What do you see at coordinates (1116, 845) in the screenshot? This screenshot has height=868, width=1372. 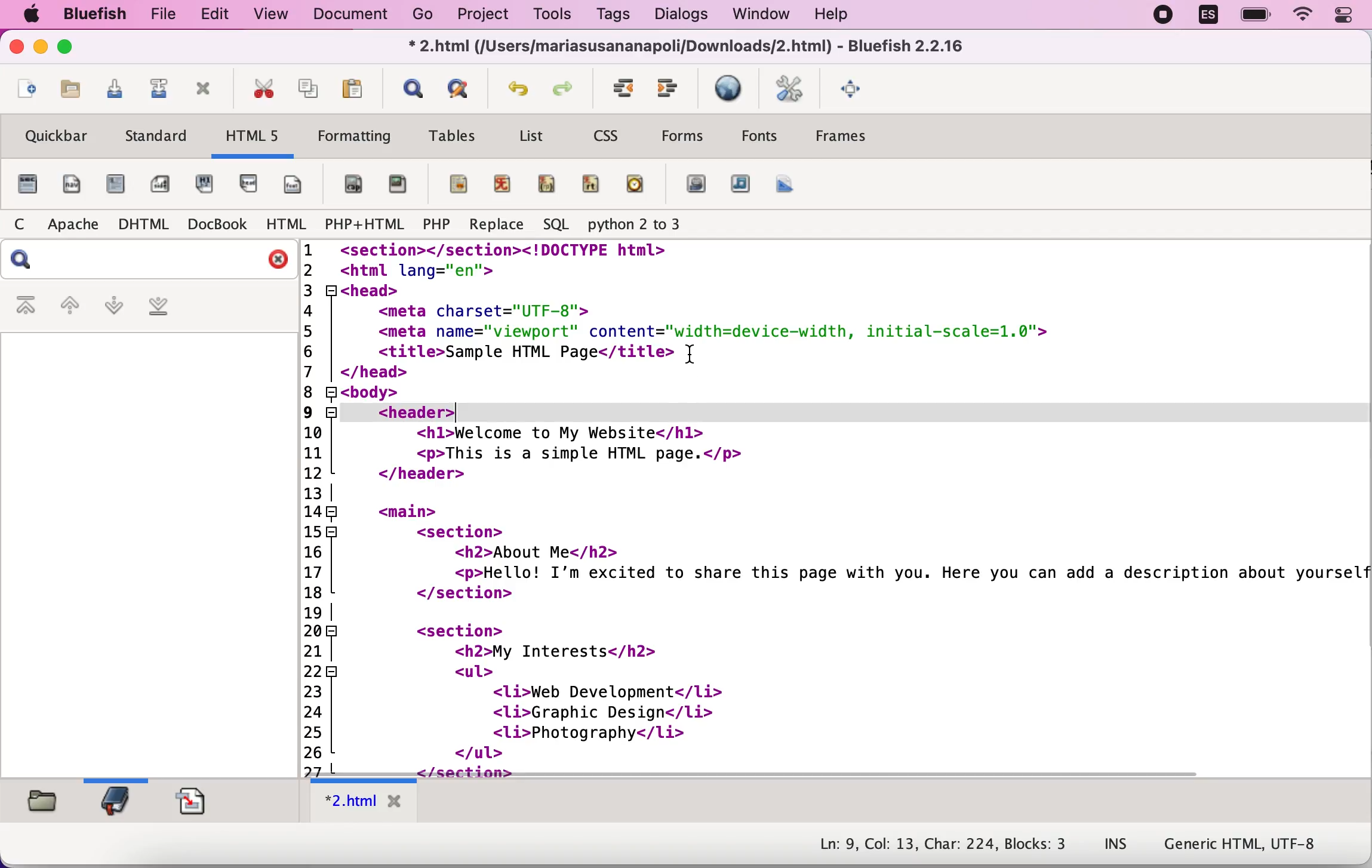 I see `INS` at bounding box center [1116, 845].